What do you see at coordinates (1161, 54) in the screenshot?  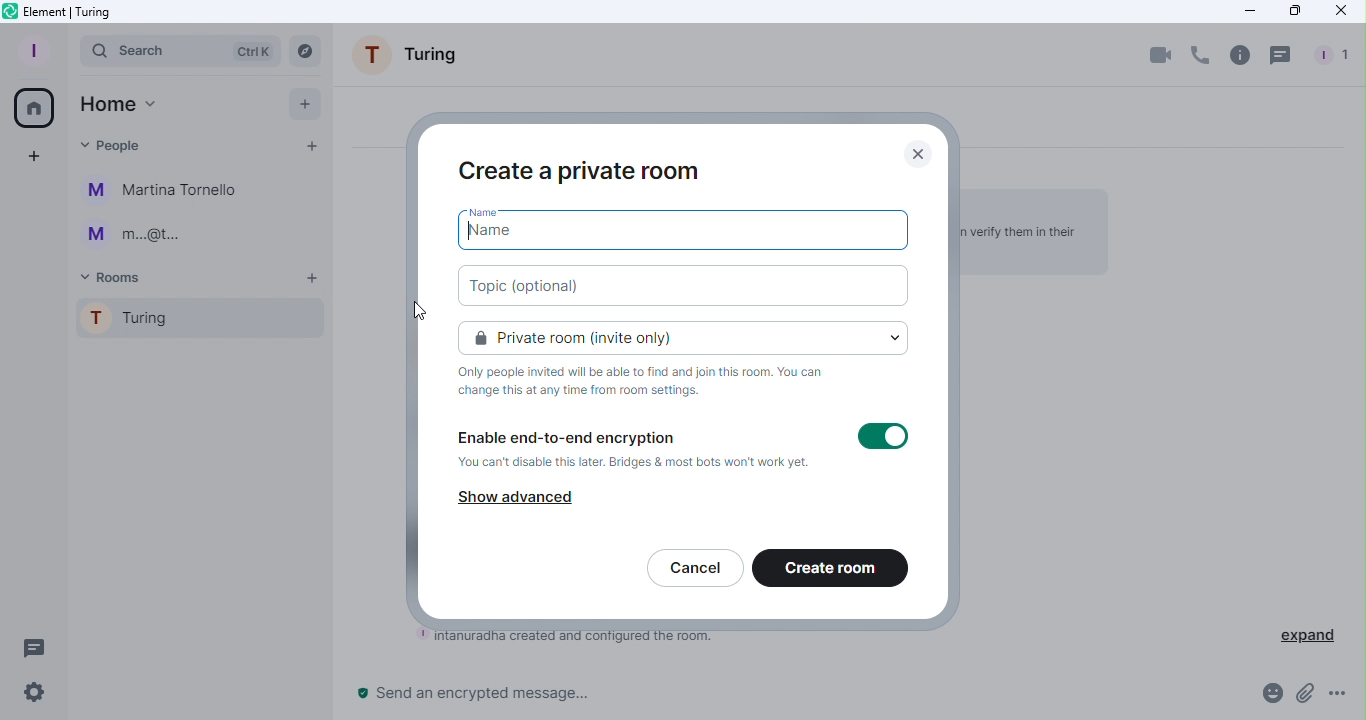 I see `Video call` at bounding box center [1161, 54].